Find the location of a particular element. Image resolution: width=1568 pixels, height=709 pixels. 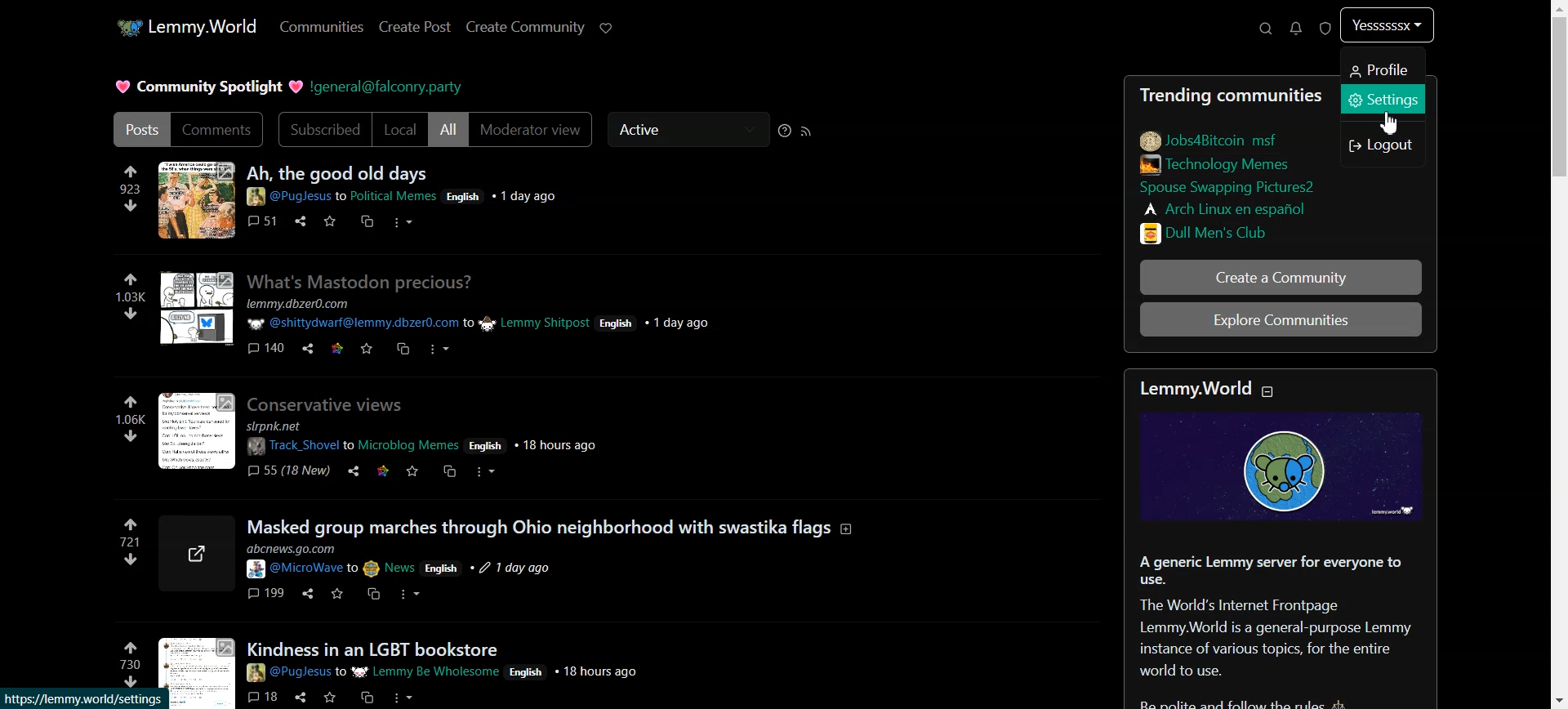

 is located at coordinates (380, 650).